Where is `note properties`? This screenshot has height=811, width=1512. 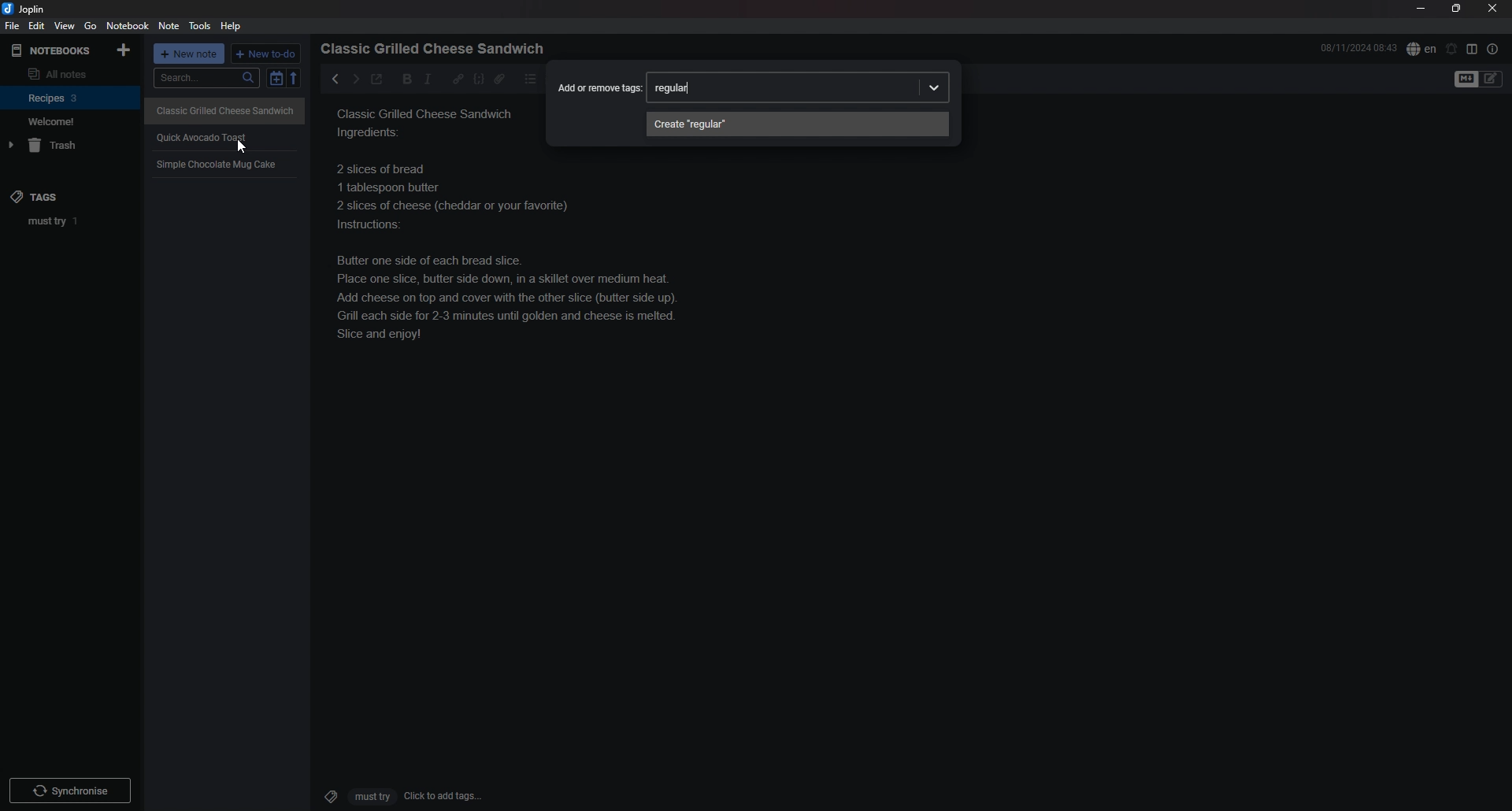
note properties is located at coordinates (1493, 49).